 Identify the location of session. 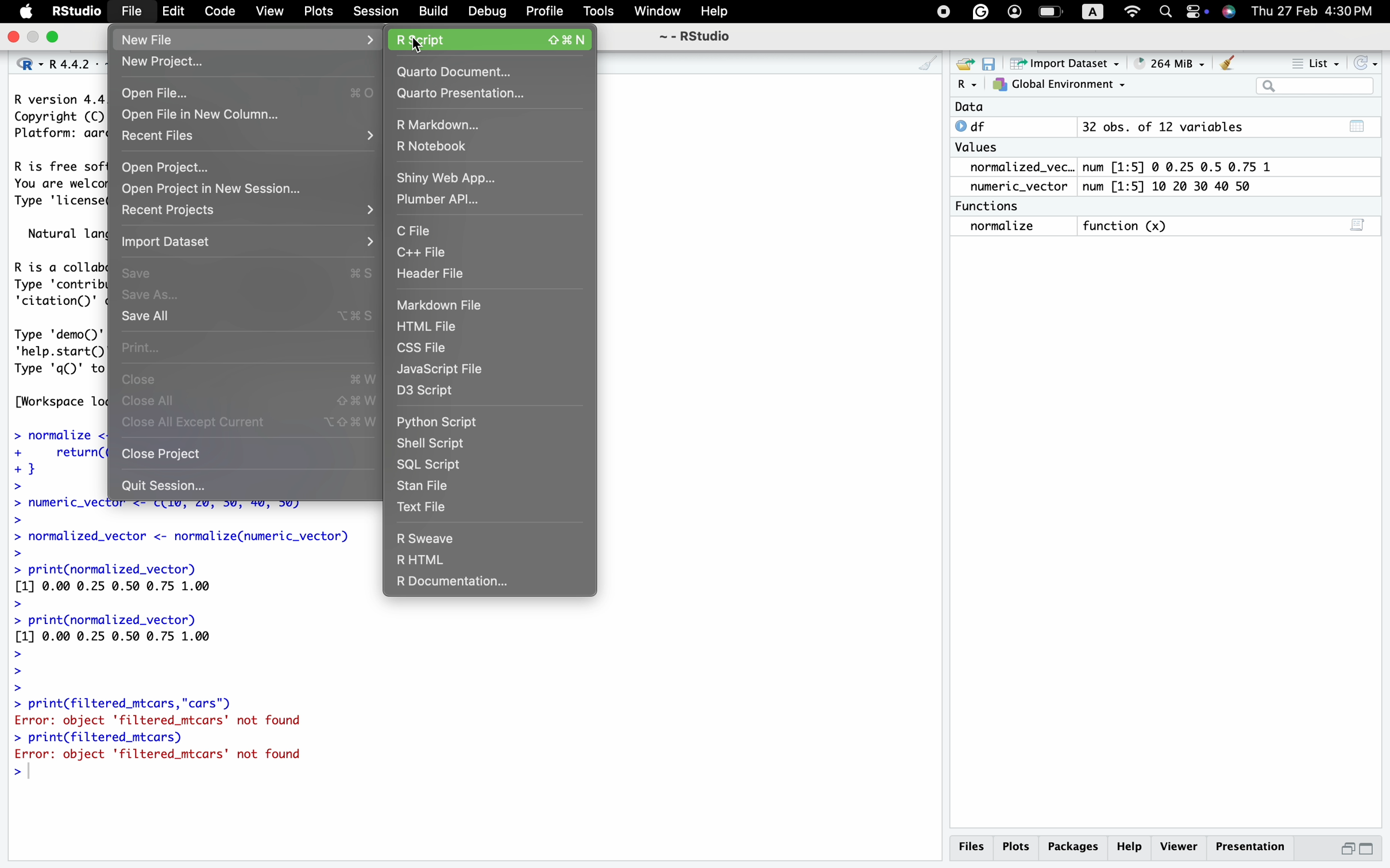
(374, 12).